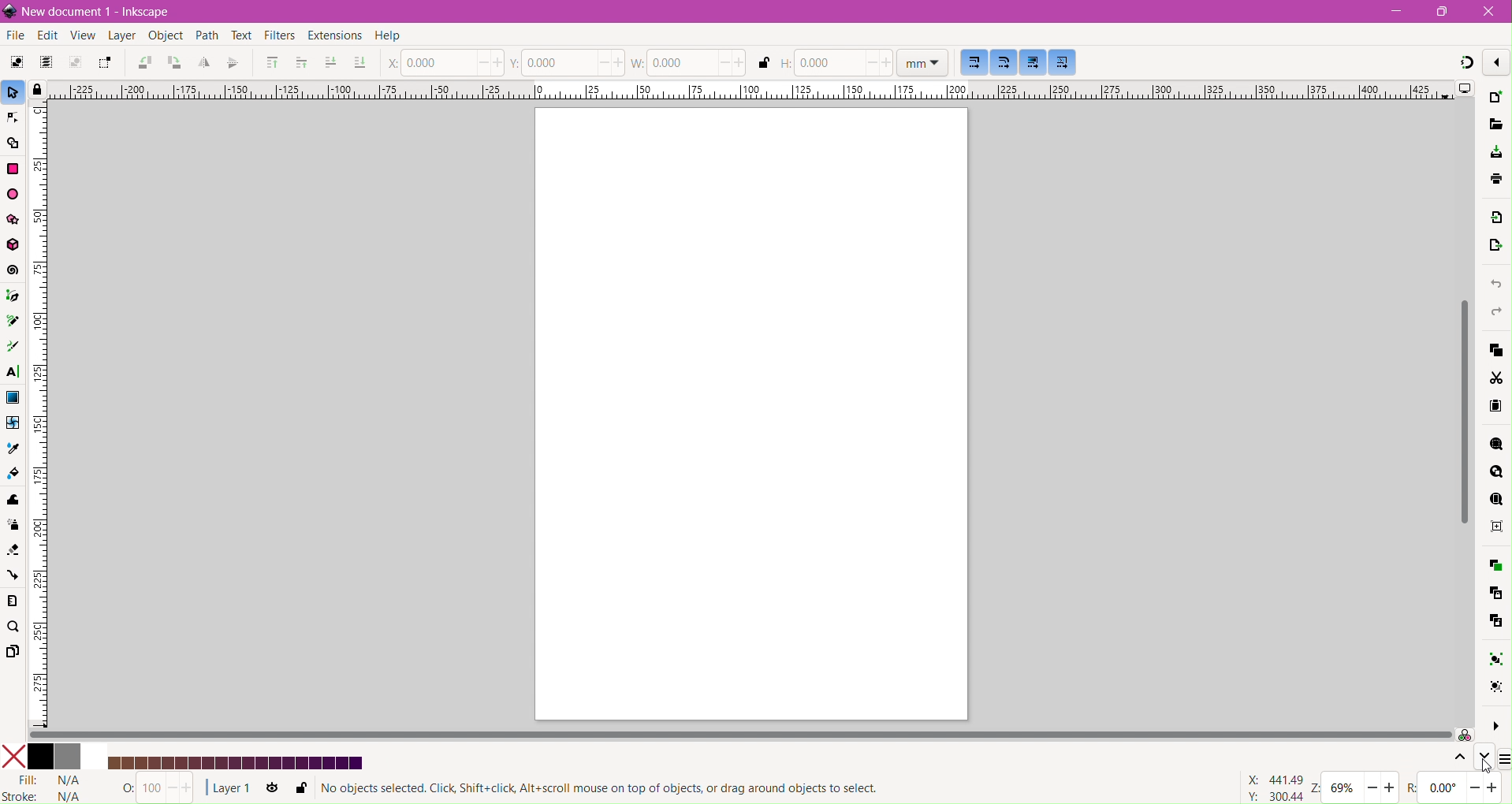  What do you see at coordinates (1493, 724) in the screenshot?
I see `More Options` at bounding box center [1493, 724].